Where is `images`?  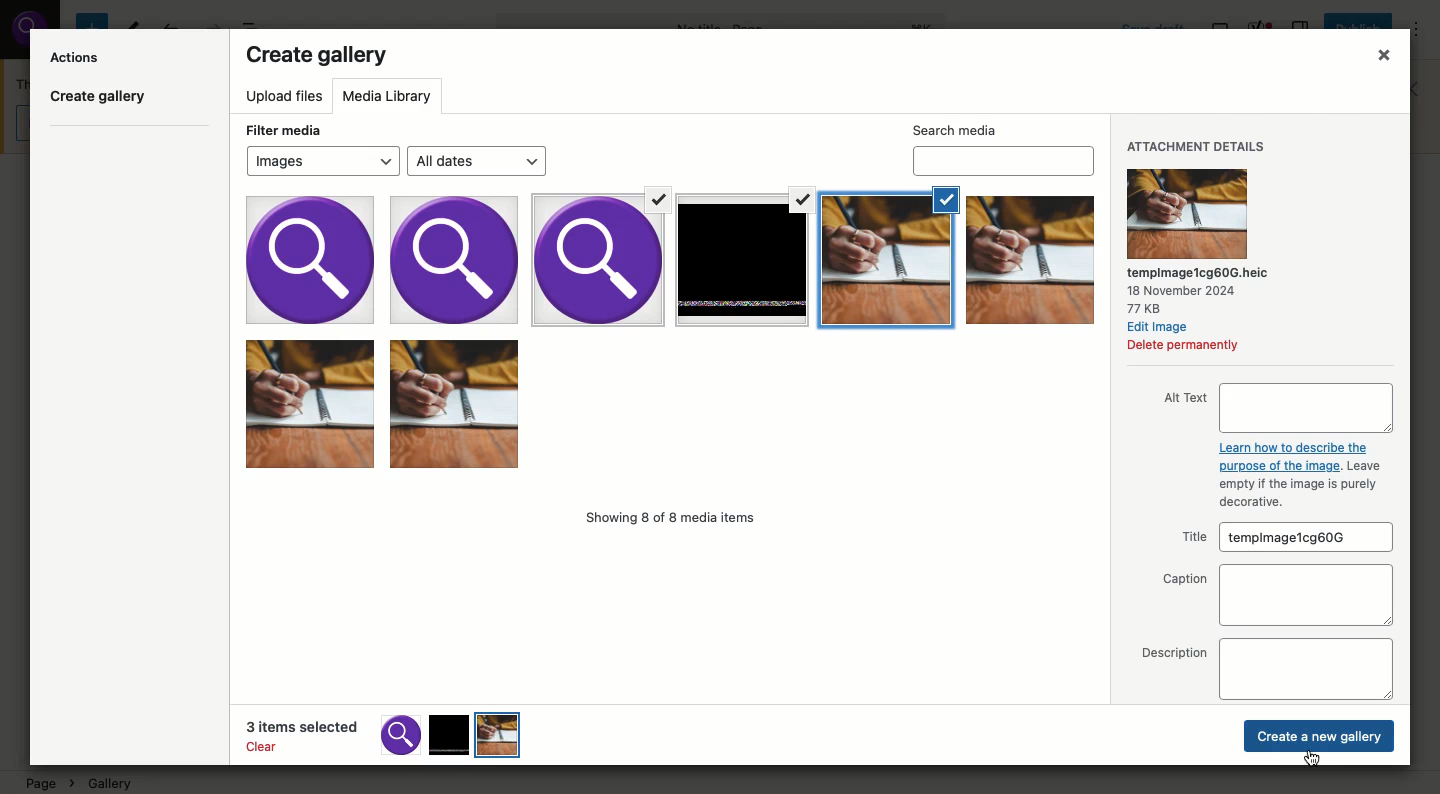
images is located at coordinates (379, 258).